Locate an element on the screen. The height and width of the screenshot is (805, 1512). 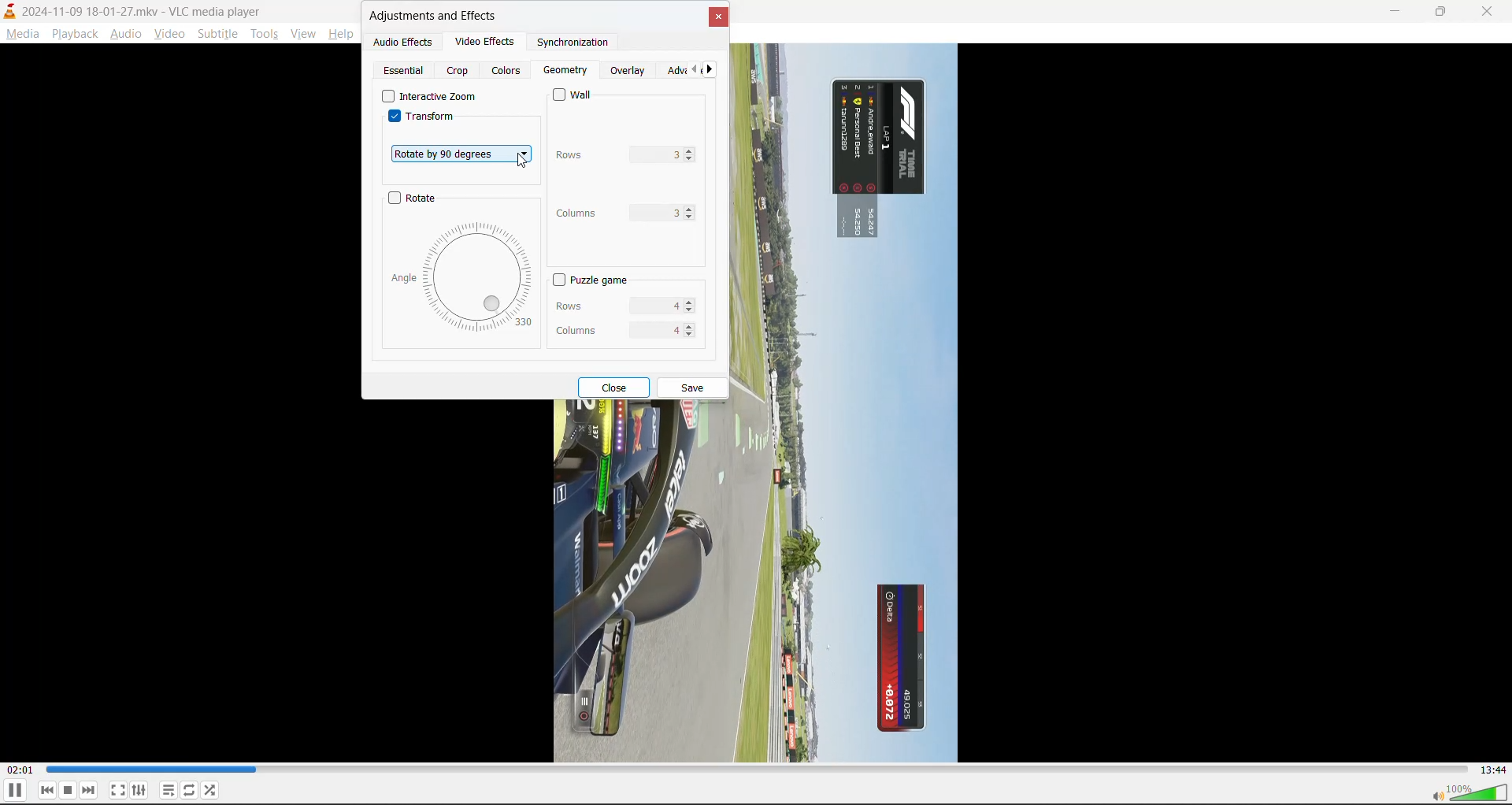
minimize is located at coordinates (1399, 13).